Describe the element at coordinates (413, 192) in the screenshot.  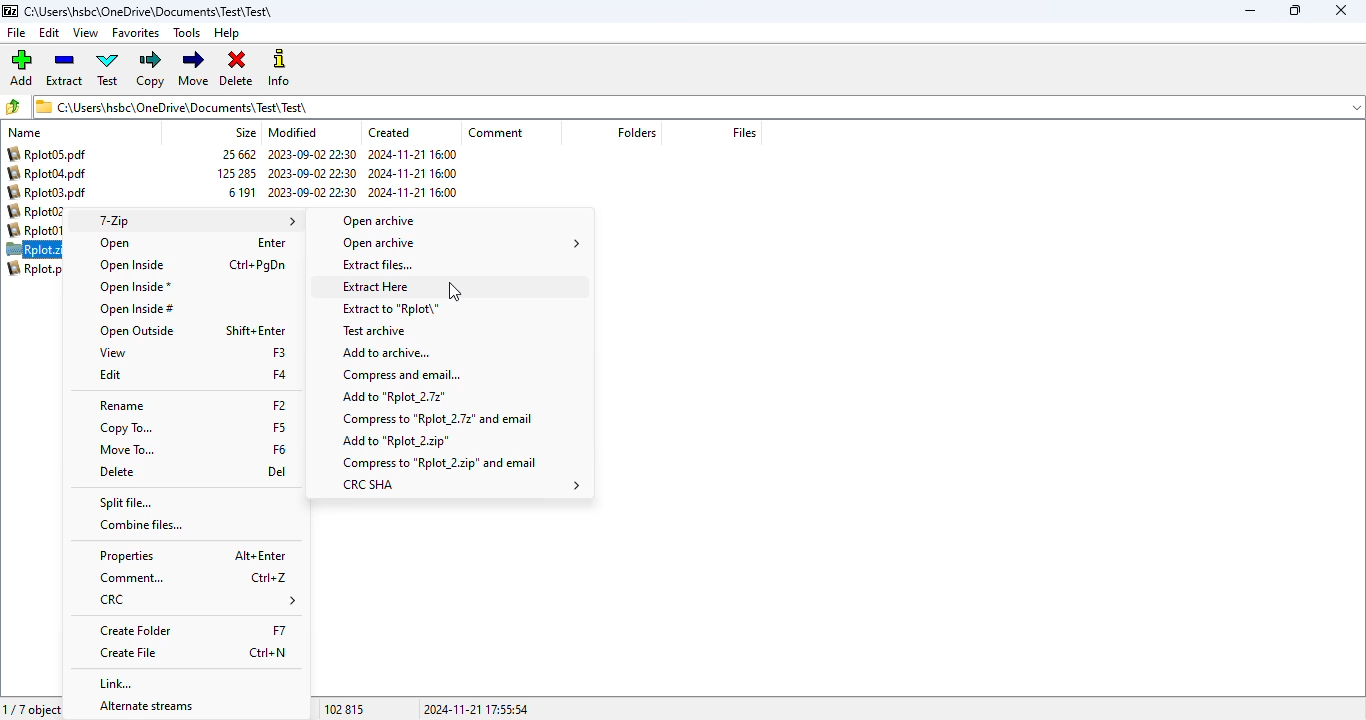
I see `2024-11-21 16:00` at that location.